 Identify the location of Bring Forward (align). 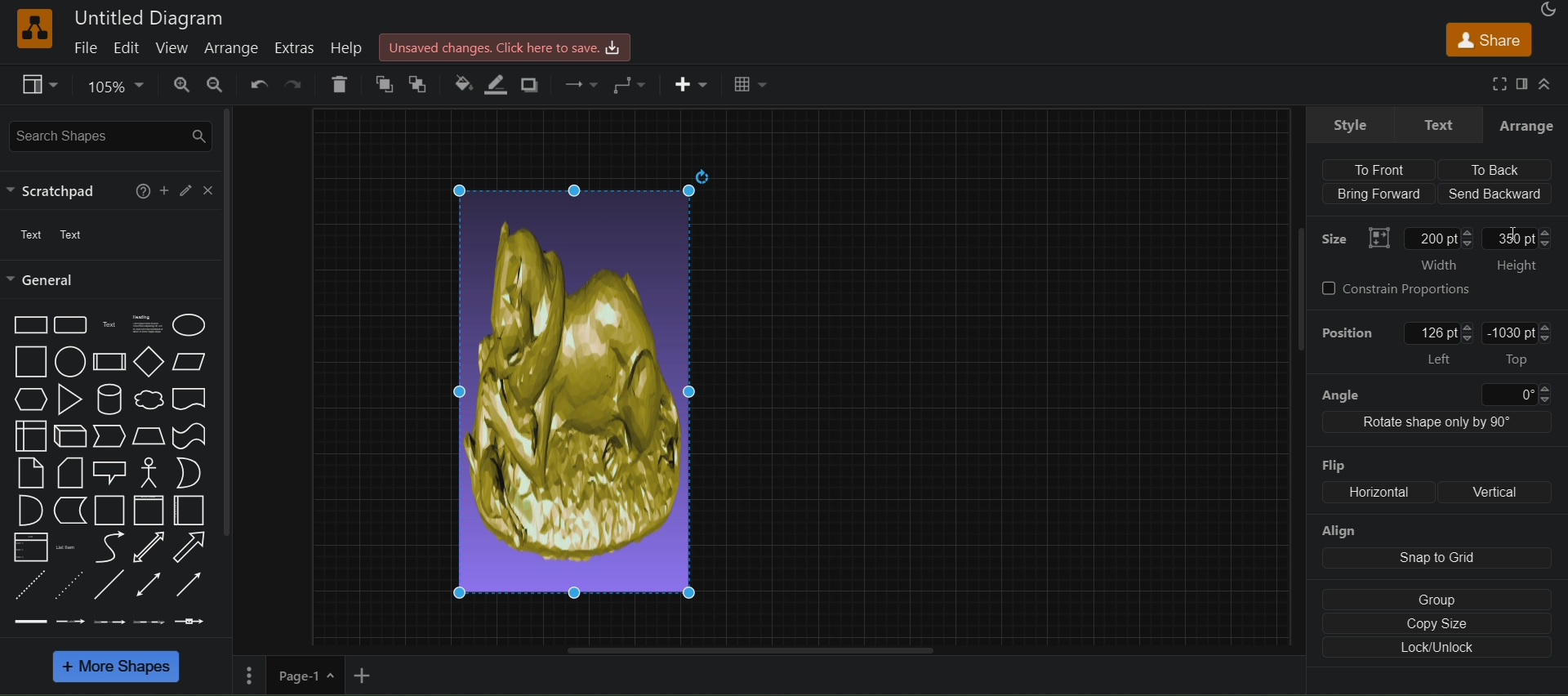
(1379, 194).